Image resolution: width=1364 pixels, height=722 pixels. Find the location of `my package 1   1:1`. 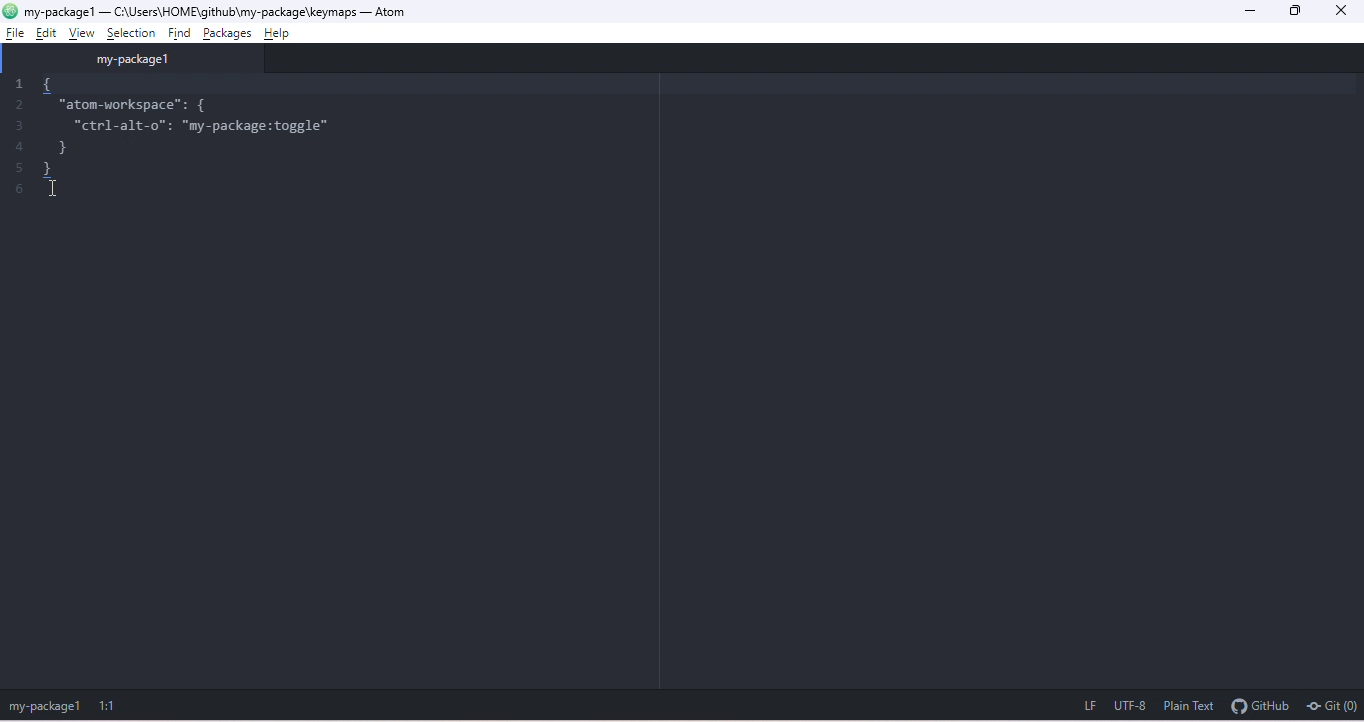

my package 1   1:1 is located at coordinates (70, 705).